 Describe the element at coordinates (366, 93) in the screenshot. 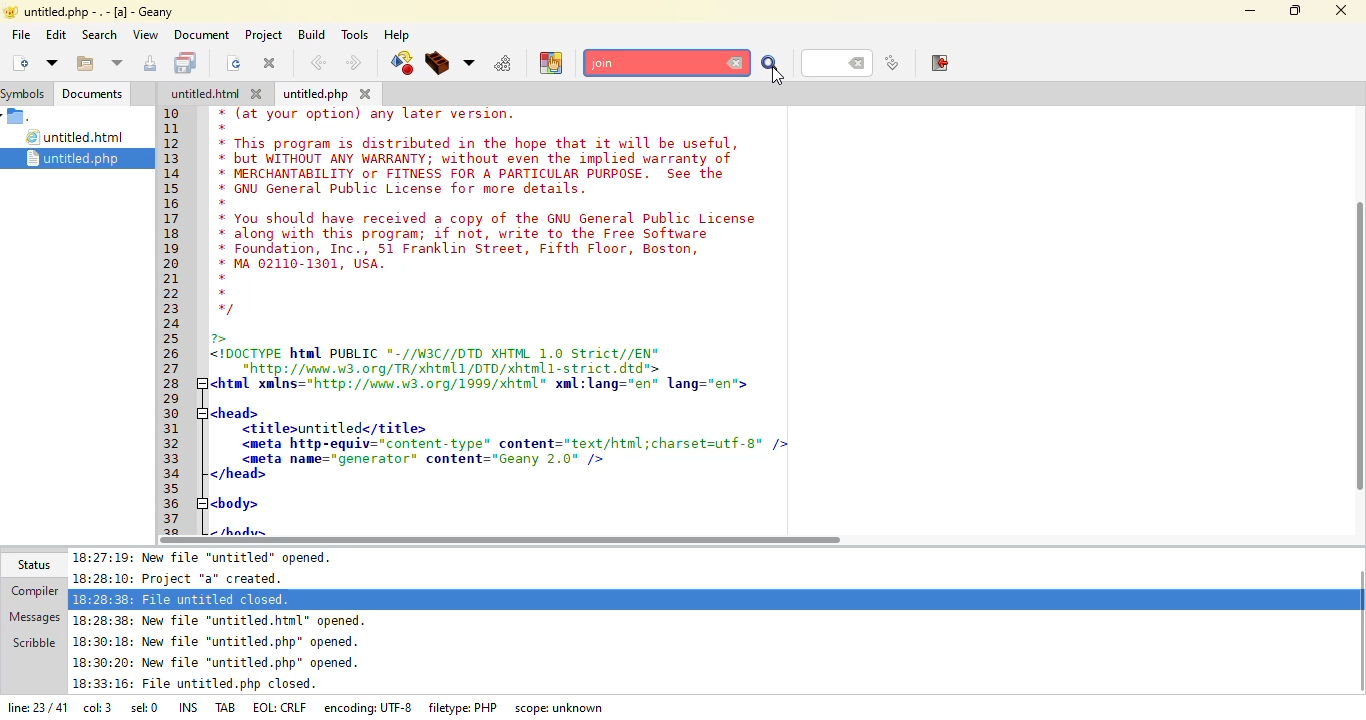

I see `close` at that location.